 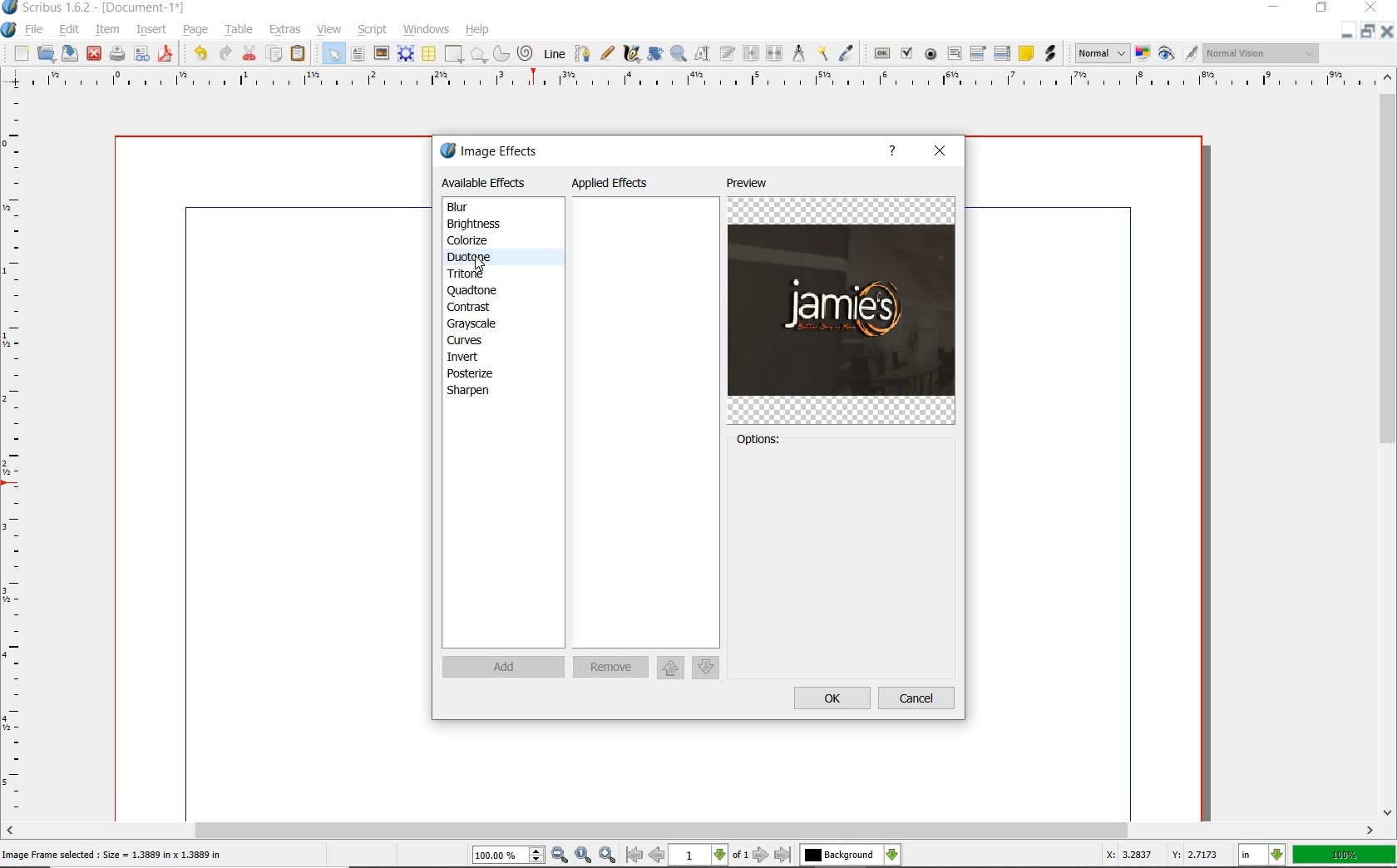 I want to click on visual appearance of the display, so click(x=1261, y=55).